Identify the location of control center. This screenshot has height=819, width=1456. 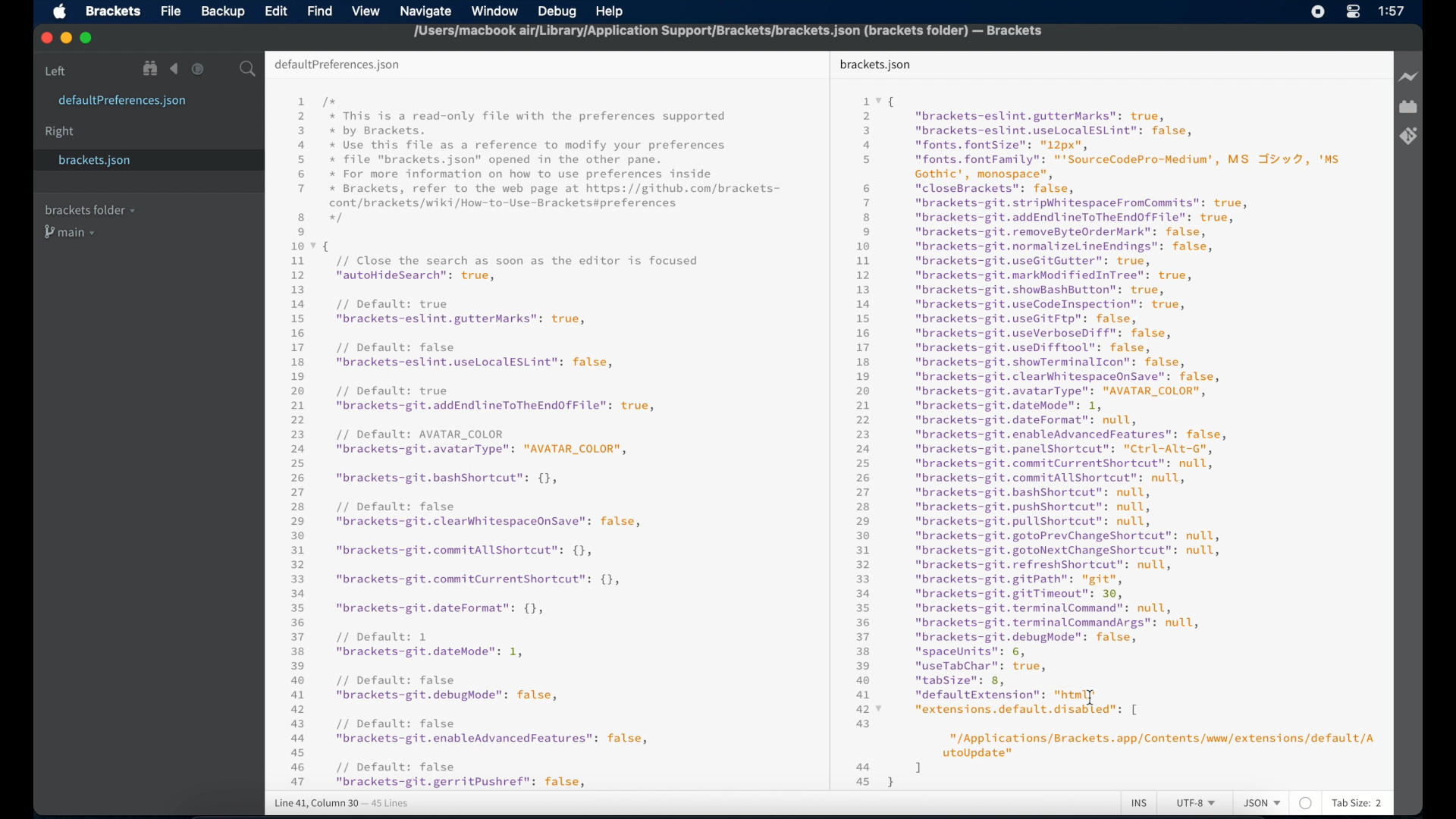
(1353, 12).